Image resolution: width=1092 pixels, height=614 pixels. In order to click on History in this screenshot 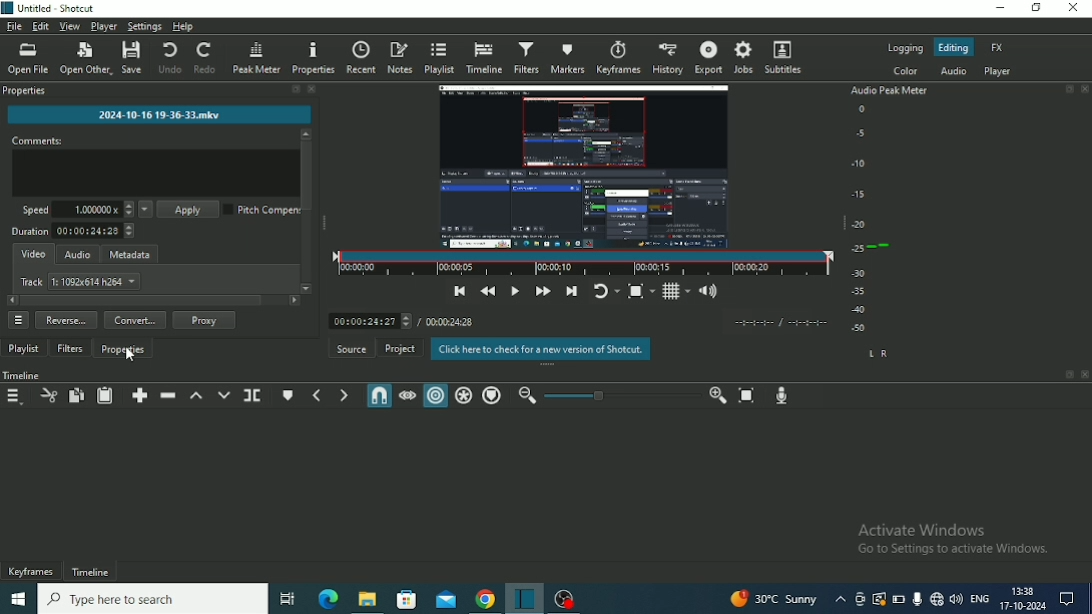, I will do `click(669, 58)`.